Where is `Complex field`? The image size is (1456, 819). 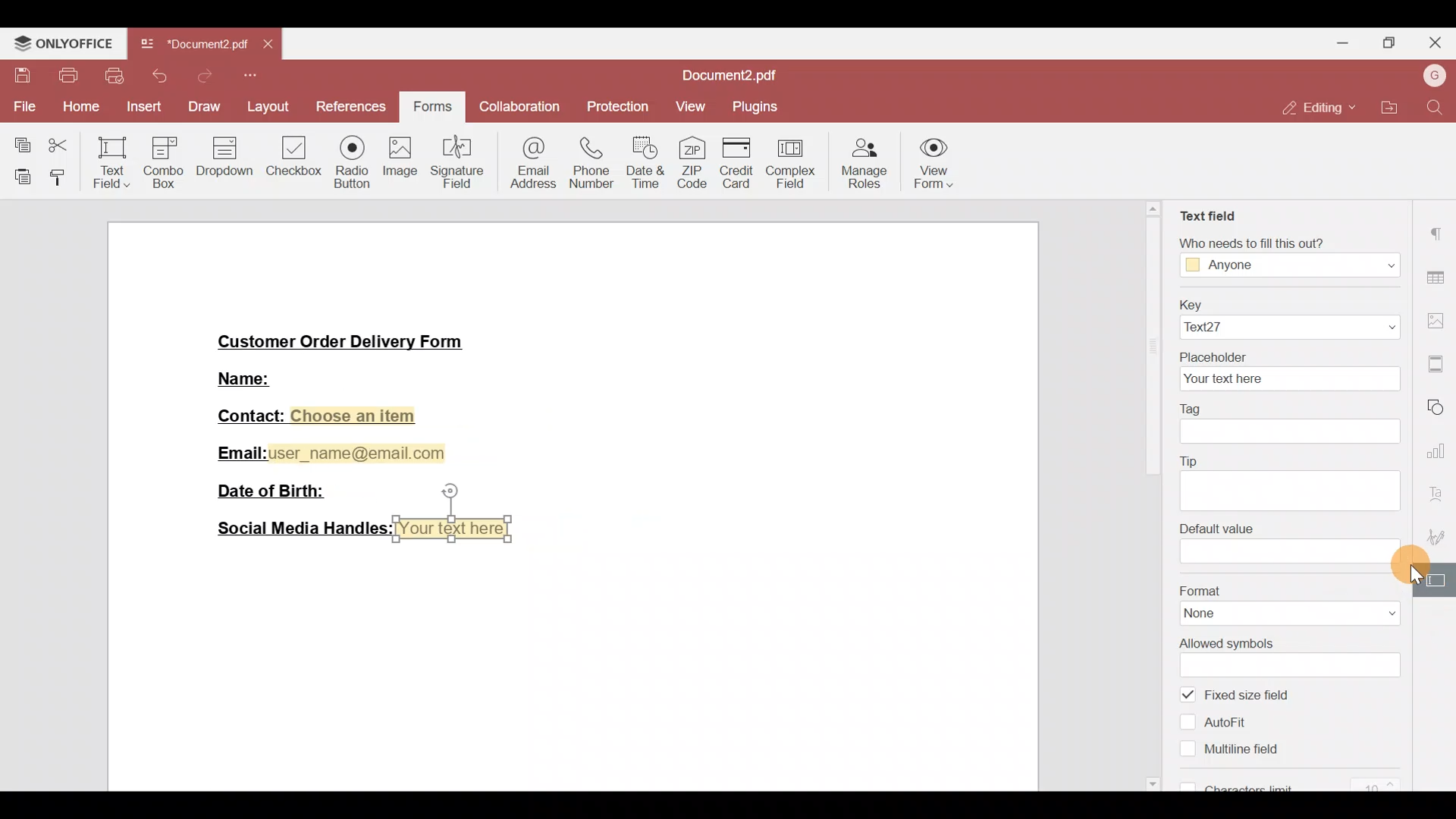 Complex field is located at coordinates (795, 160).